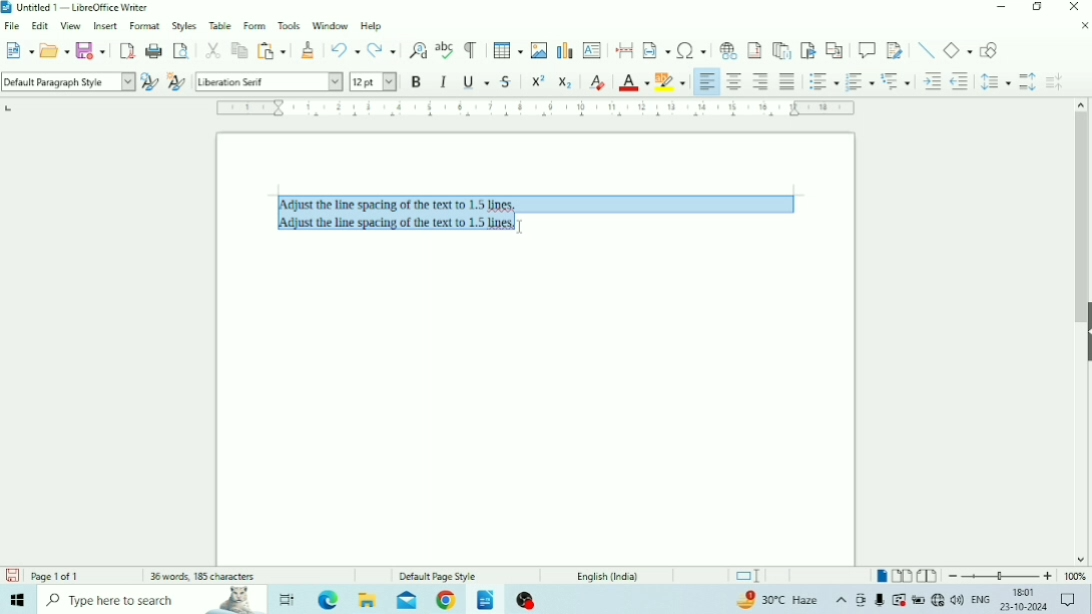  I want to click on New Style for Selection, so click(176, 79).